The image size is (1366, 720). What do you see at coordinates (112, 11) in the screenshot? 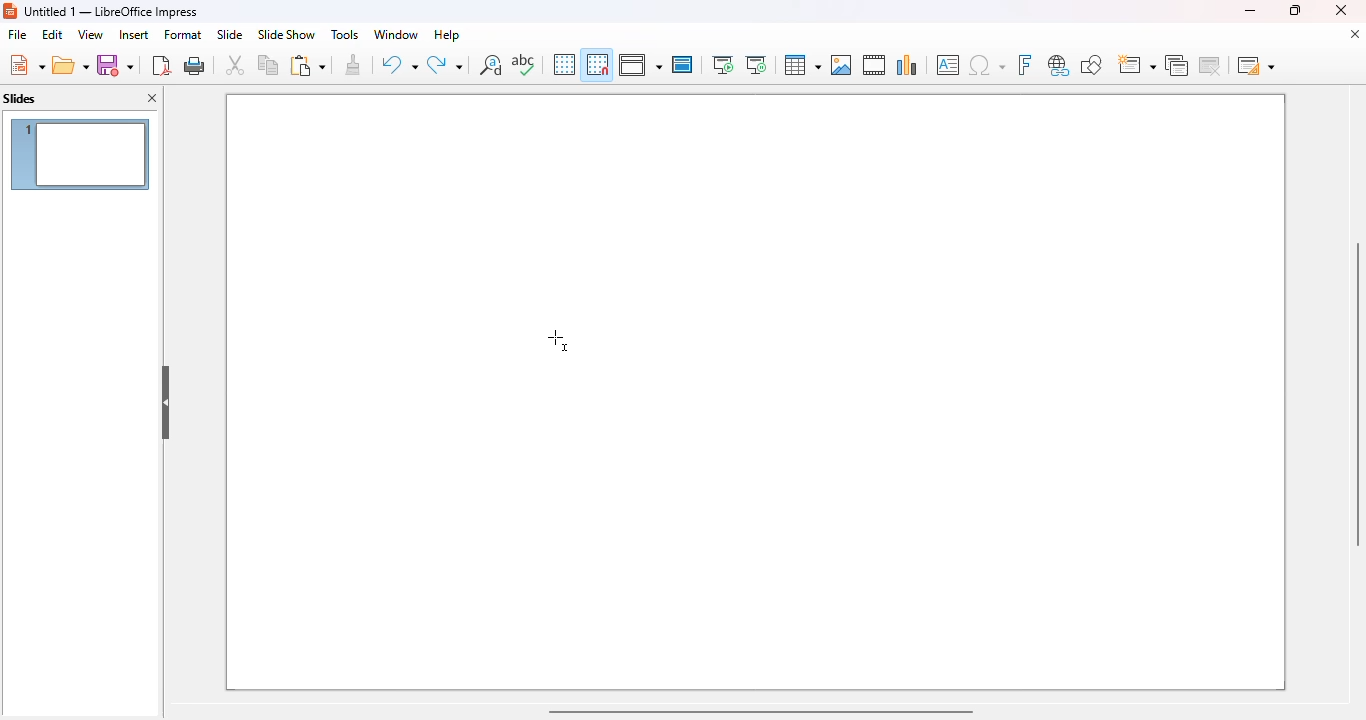
I see `title` at bounding box center [112, 11].